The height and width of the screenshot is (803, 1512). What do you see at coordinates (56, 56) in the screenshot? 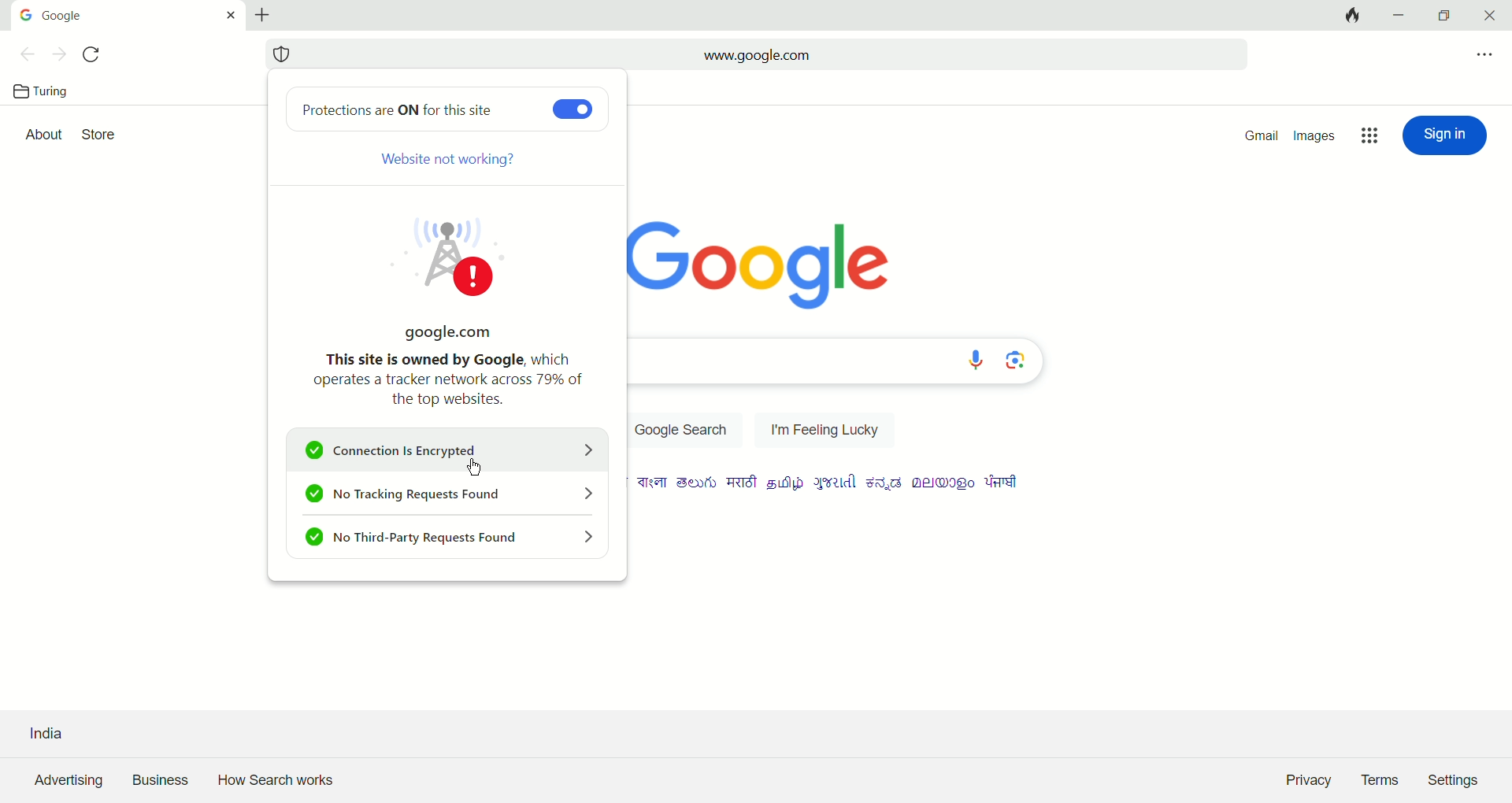
I see `next` at bounding box center [56, 56].